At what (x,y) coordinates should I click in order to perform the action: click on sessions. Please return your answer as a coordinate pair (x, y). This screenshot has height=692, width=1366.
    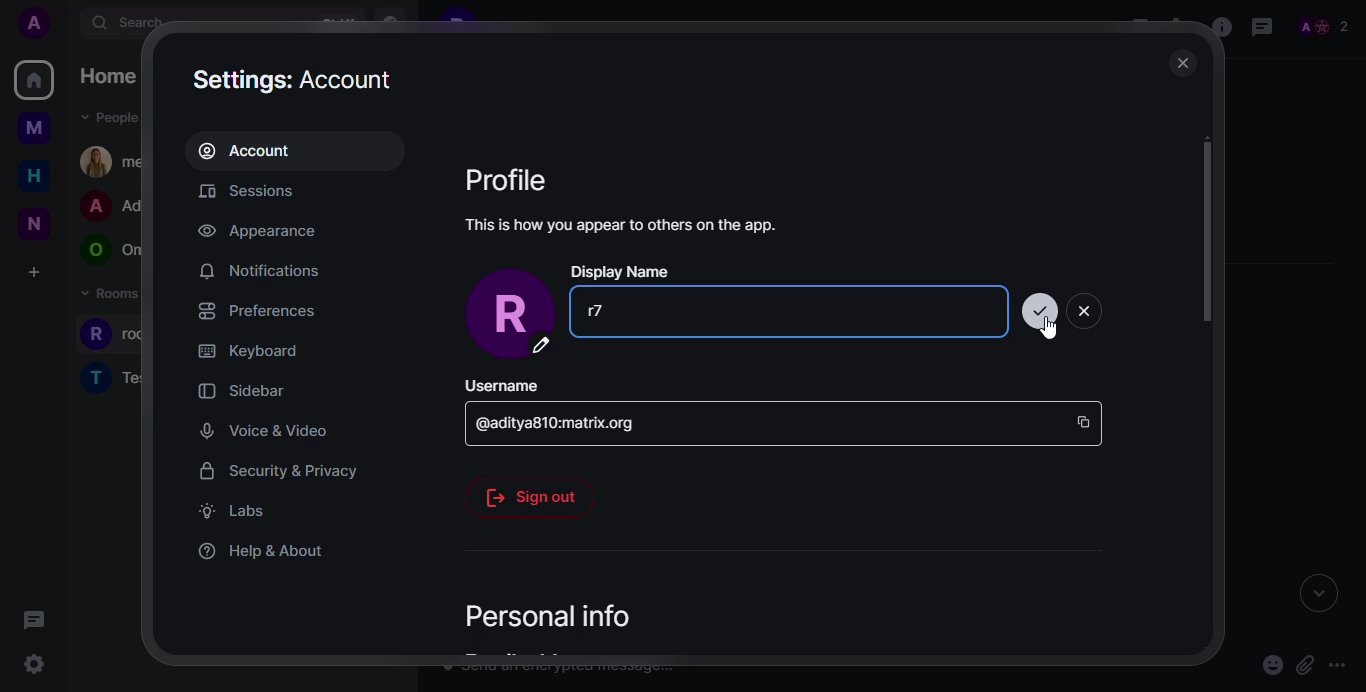
    Looking at the image, I should click on (256, 191).